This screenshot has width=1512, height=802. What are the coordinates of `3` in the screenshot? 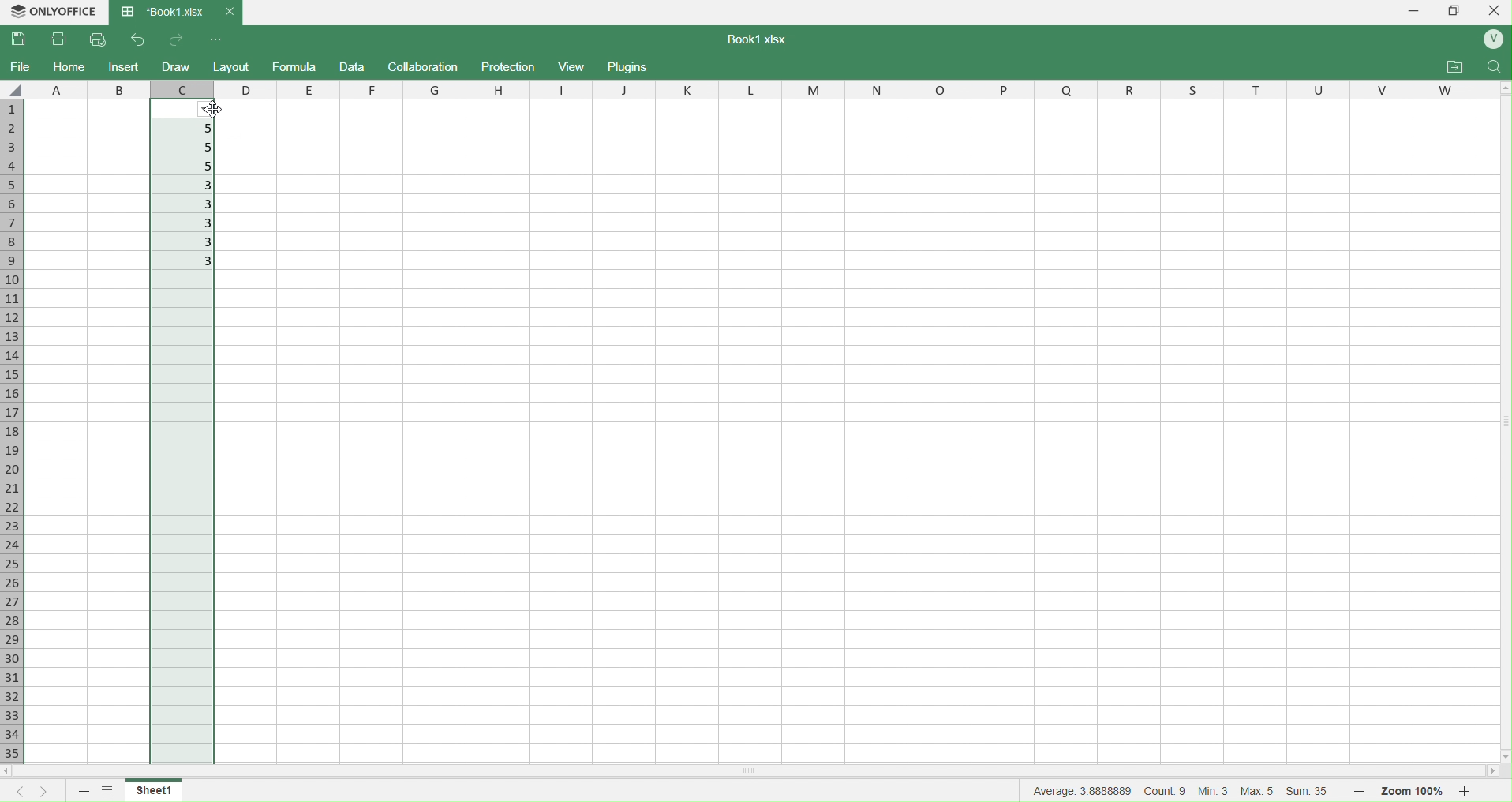 It's located at (186, 186).